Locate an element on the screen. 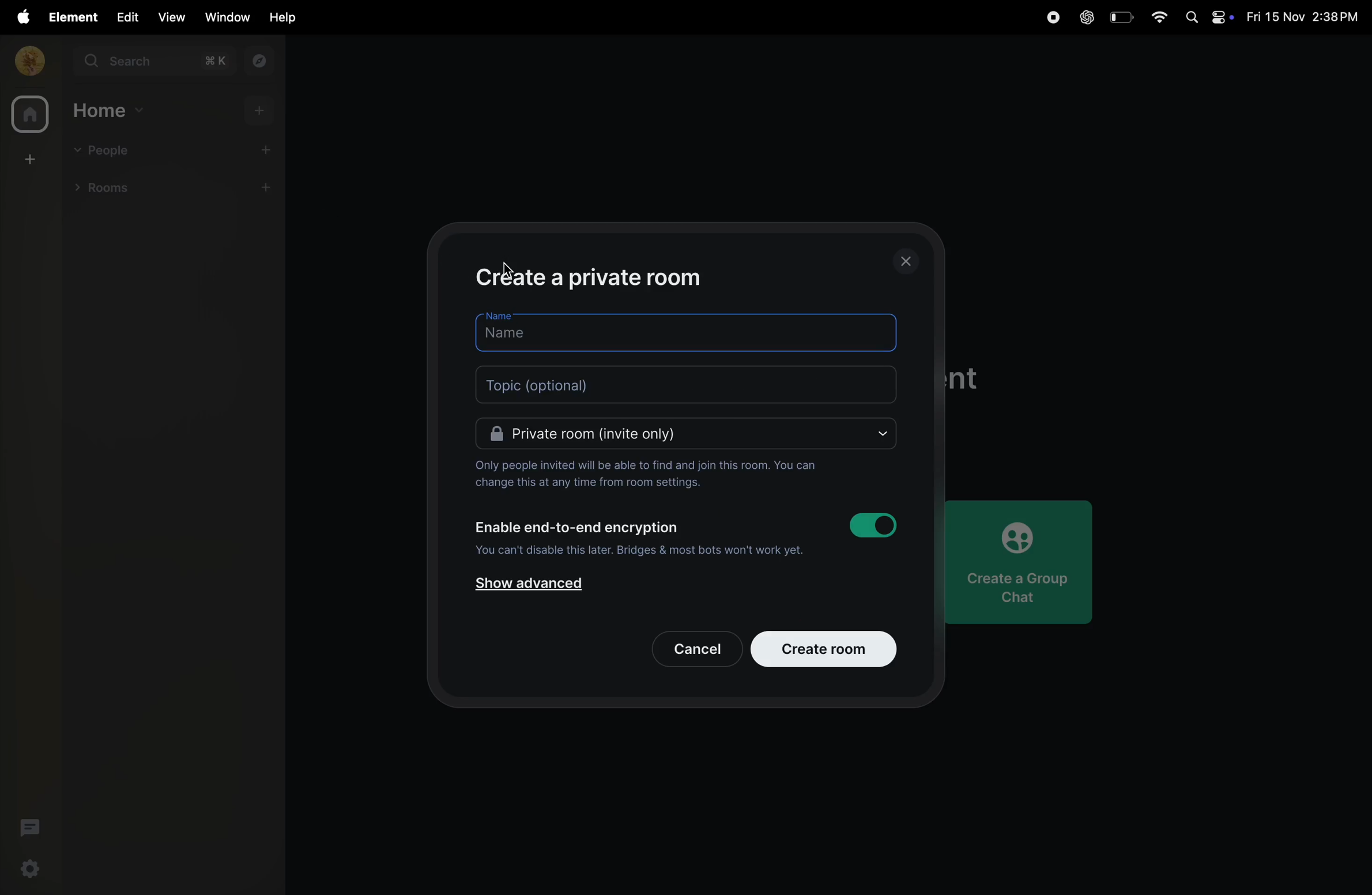 Image resolution: width=1372 pixels, height=895 pixels. show advanced is located at coordinates (541, 588).